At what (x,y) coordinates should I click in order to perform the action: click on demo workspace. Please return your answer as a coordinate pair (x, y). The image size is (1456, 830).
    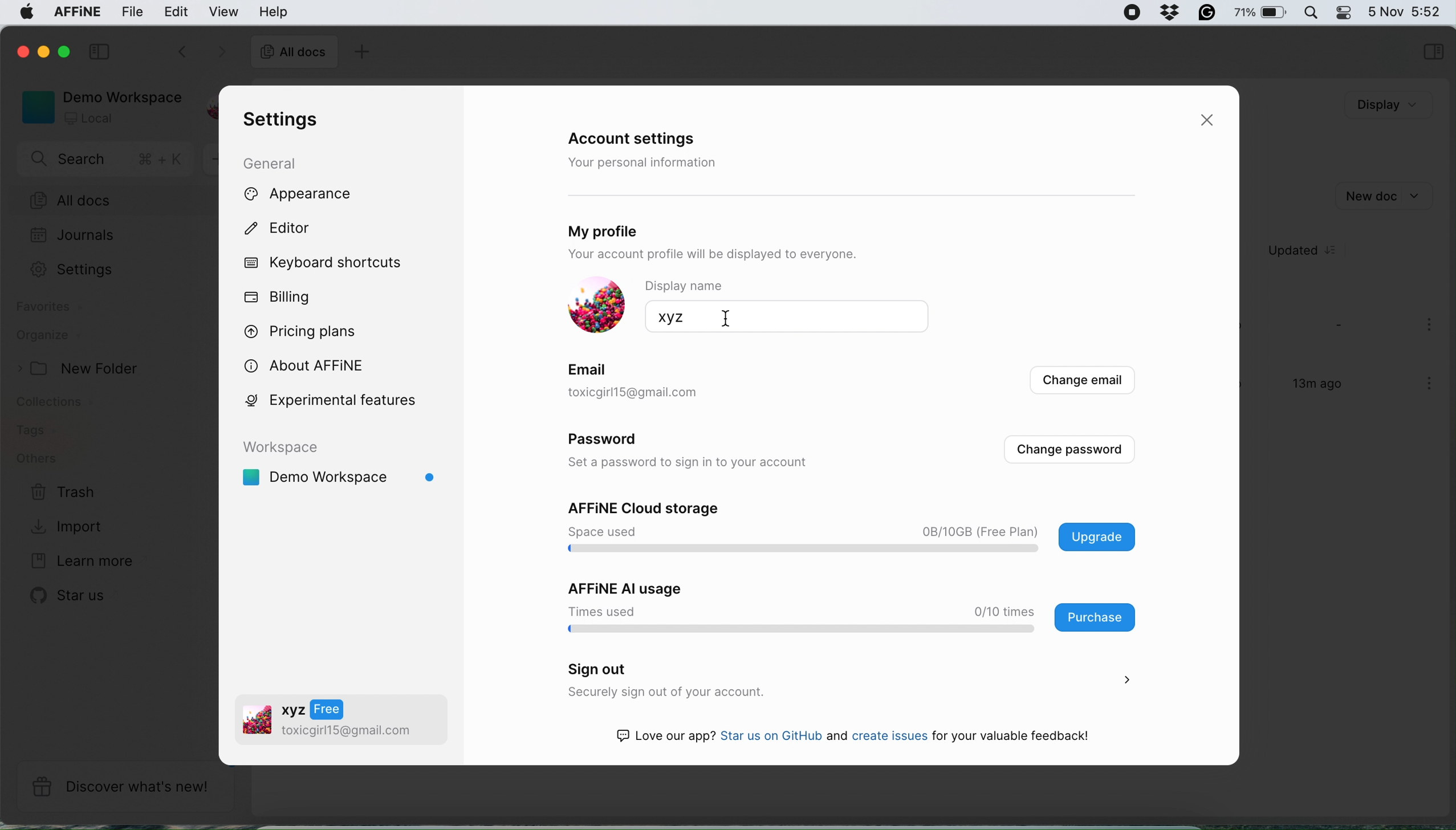
    Looking at the image, I should click on (97, 106).